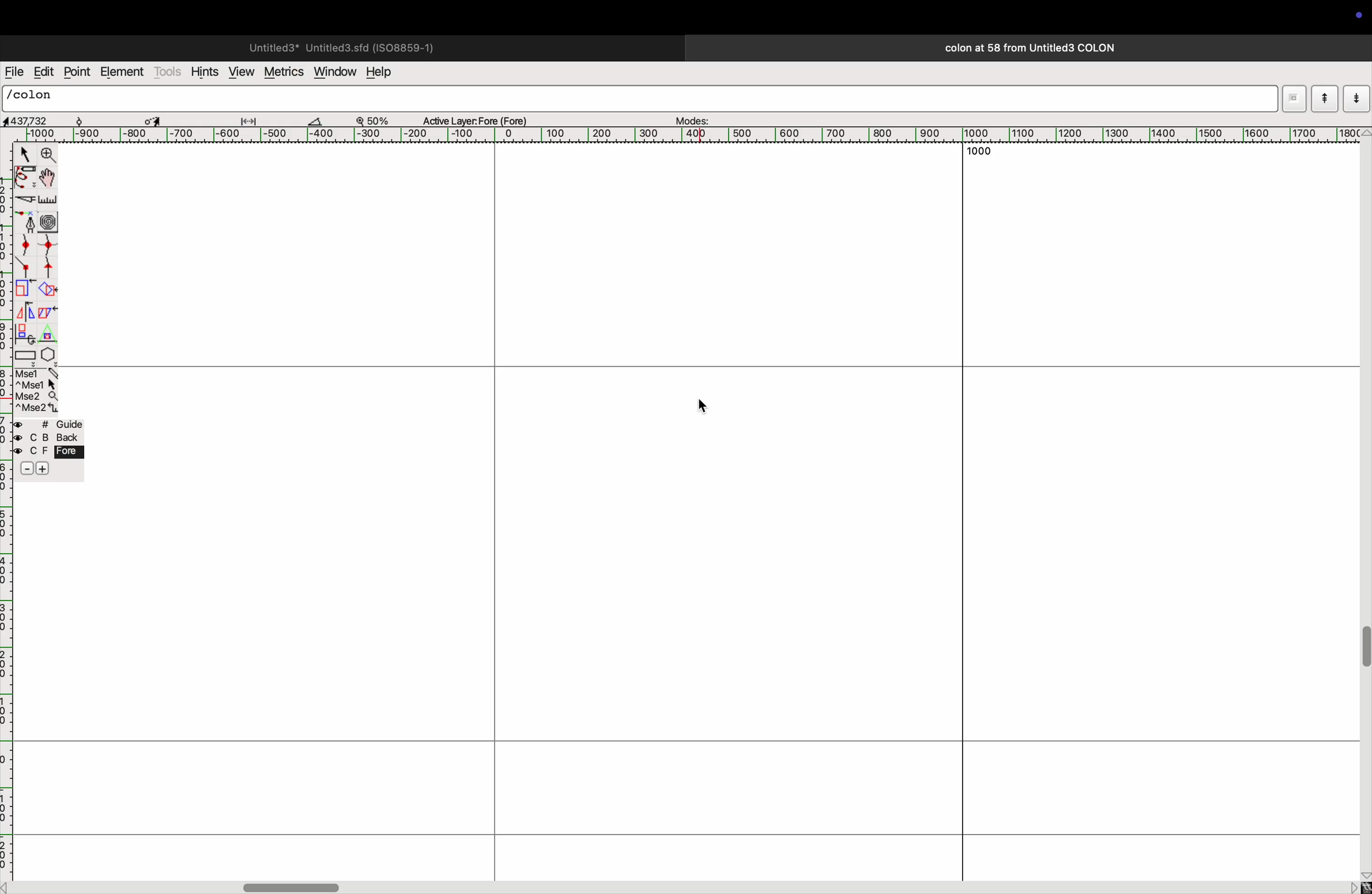 Image resolution: width=1372 pixels, height=894 pixels. I want to click on untitled page, so click(340, 46).